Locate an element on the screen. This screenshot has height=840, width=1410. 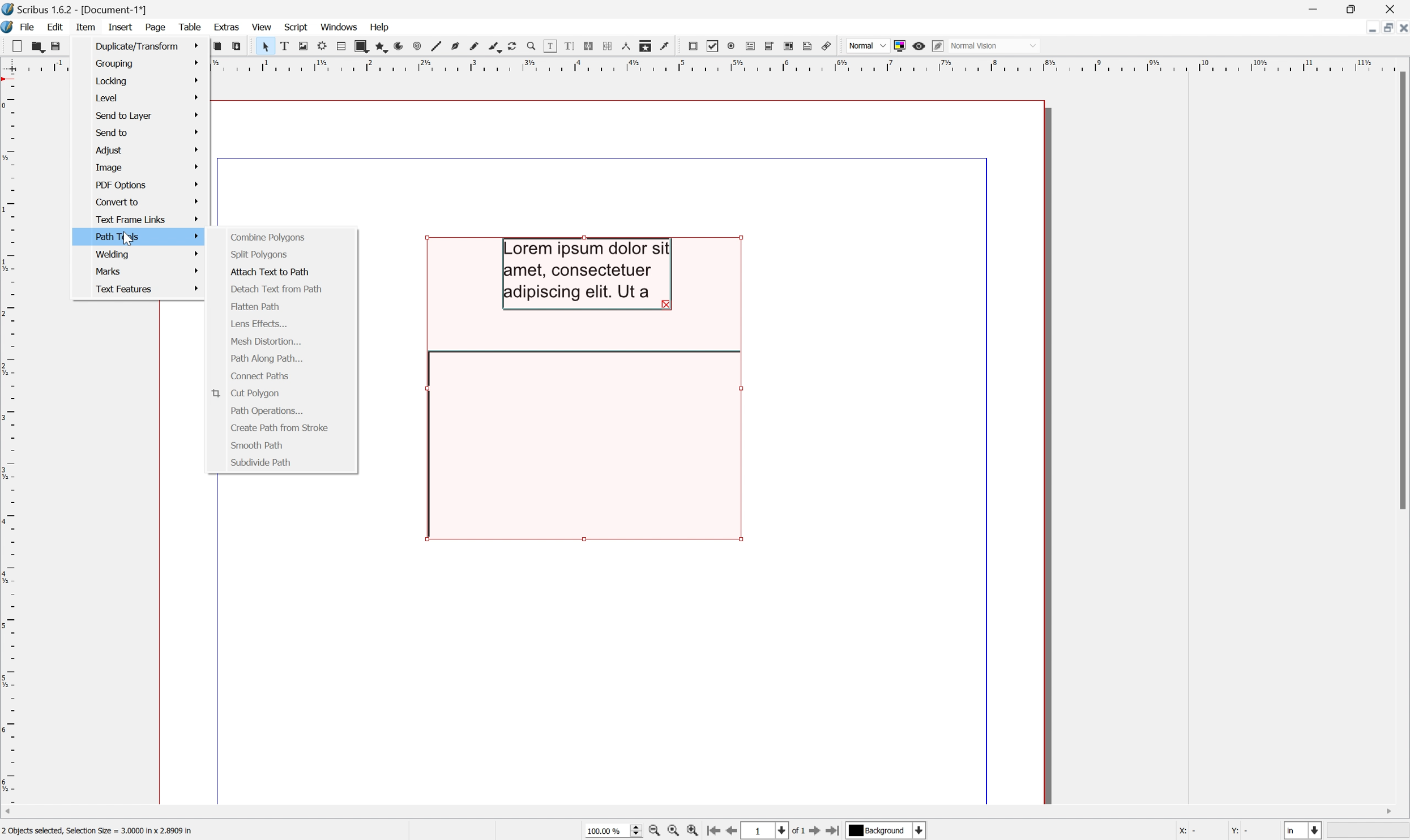
Go to the first page is located at coordinates (715, 832).